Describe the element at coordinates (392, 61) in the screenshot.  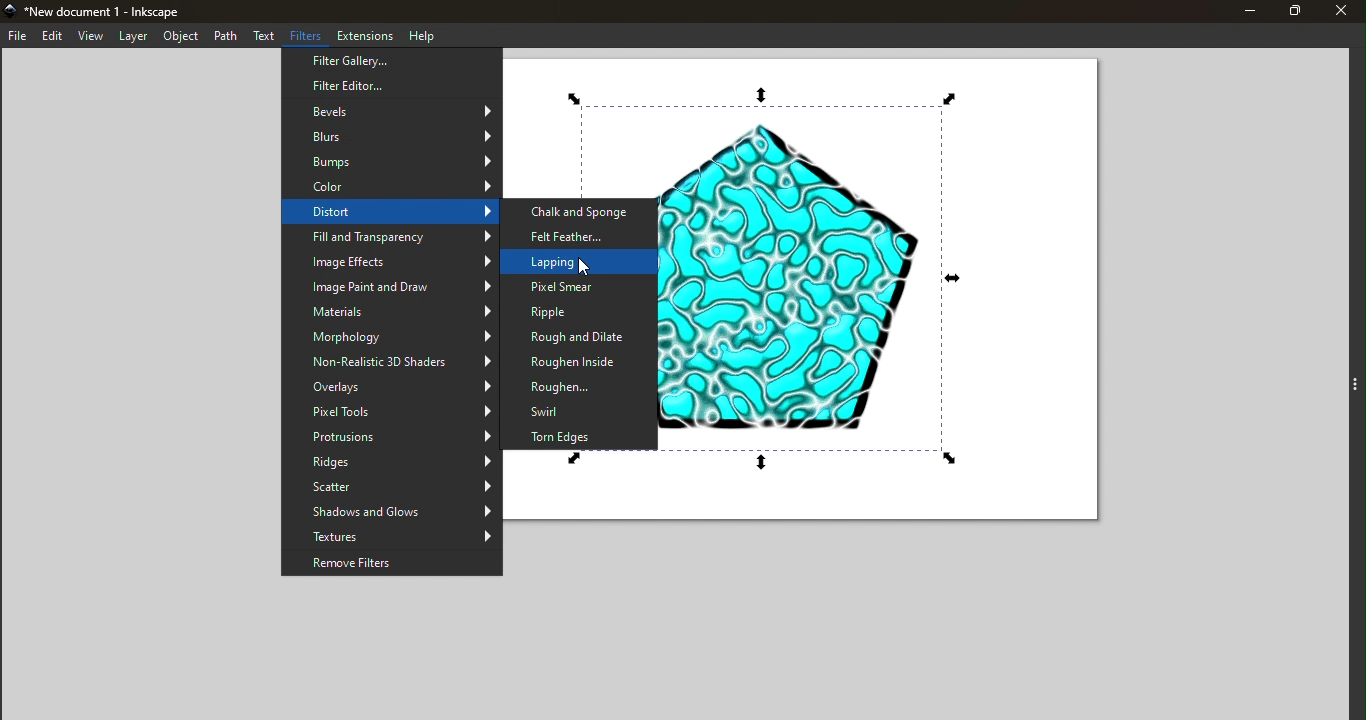
I see `Filter Gallery...` at that location.